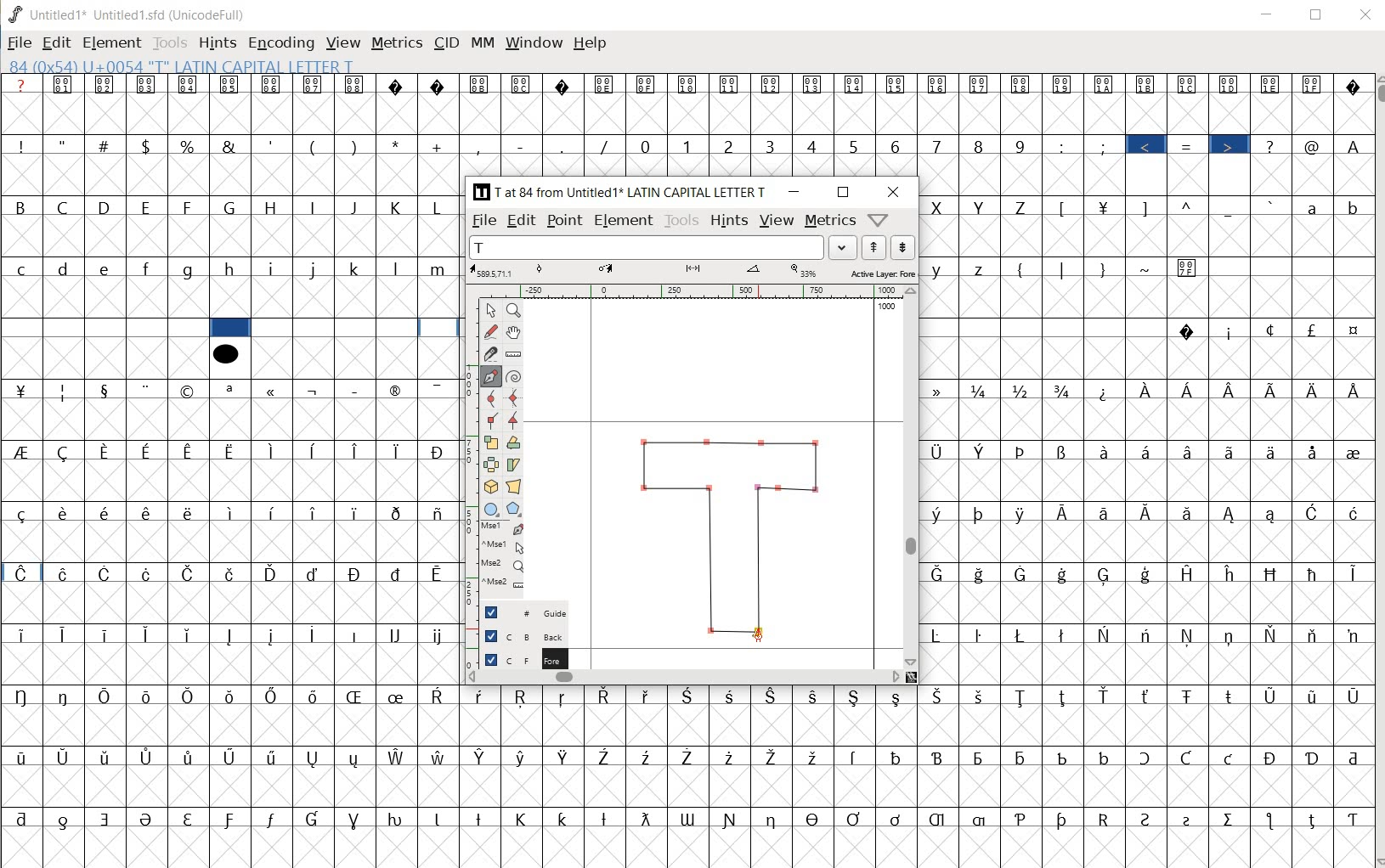  What do you see at coordinates (1063, 391) in the screenshot?
I see `Symbol` at bounding box center [1063, 391].